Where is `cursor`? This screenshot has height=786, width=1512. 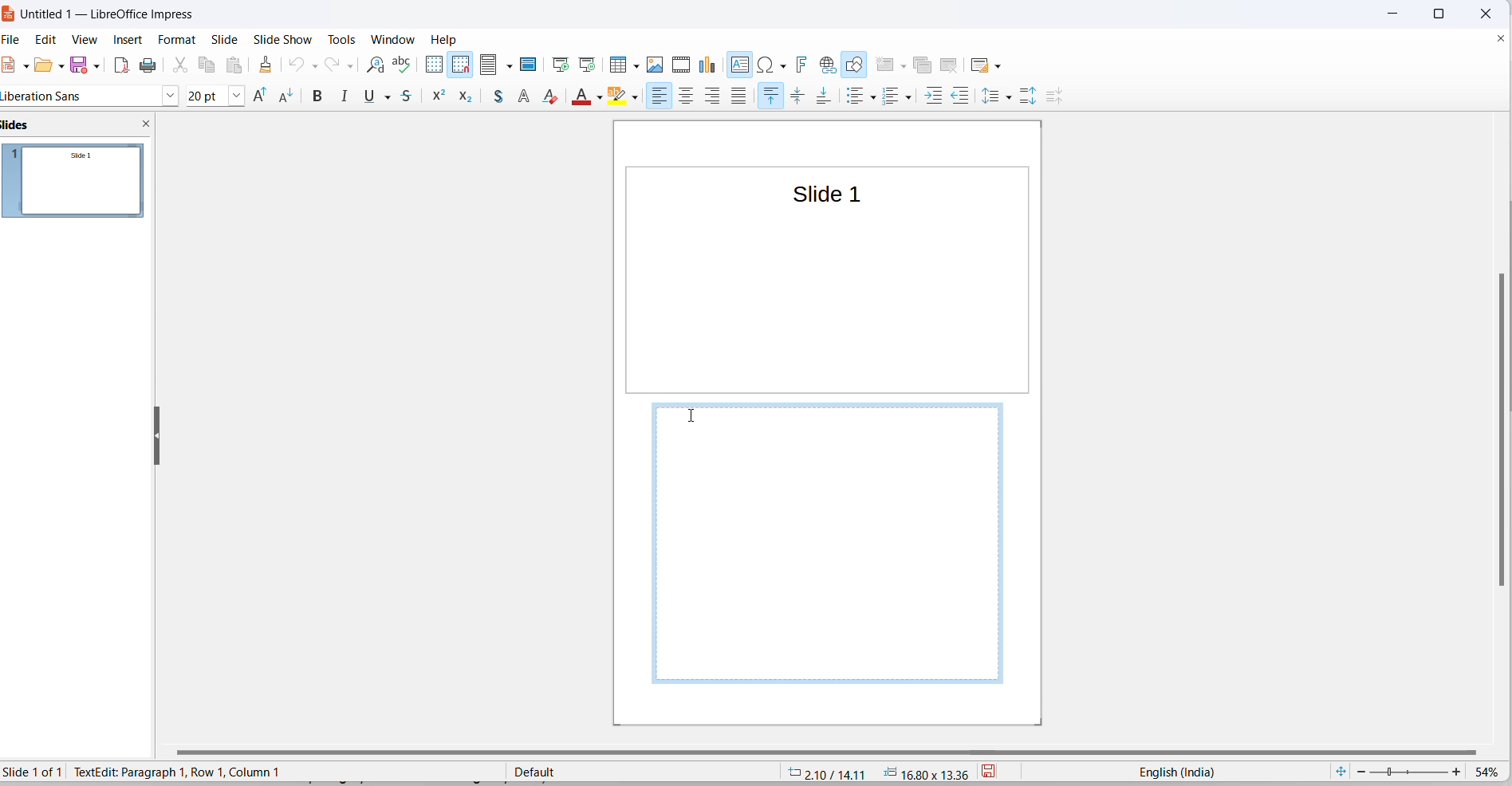
cursor is located at coordinates (692, 415).